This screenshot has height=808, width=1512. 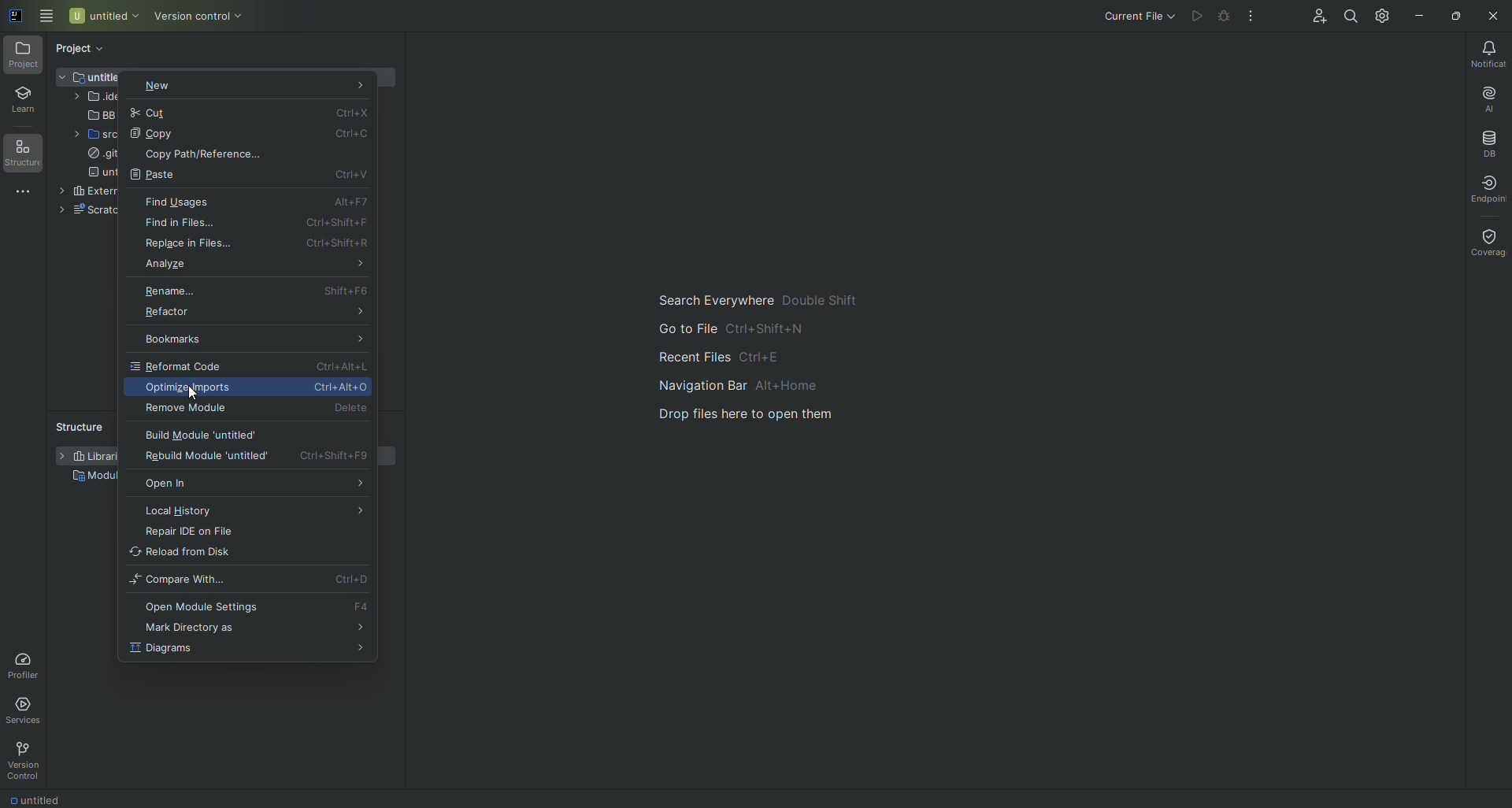 I want to click on Analyze, so click(x=260, y=268).